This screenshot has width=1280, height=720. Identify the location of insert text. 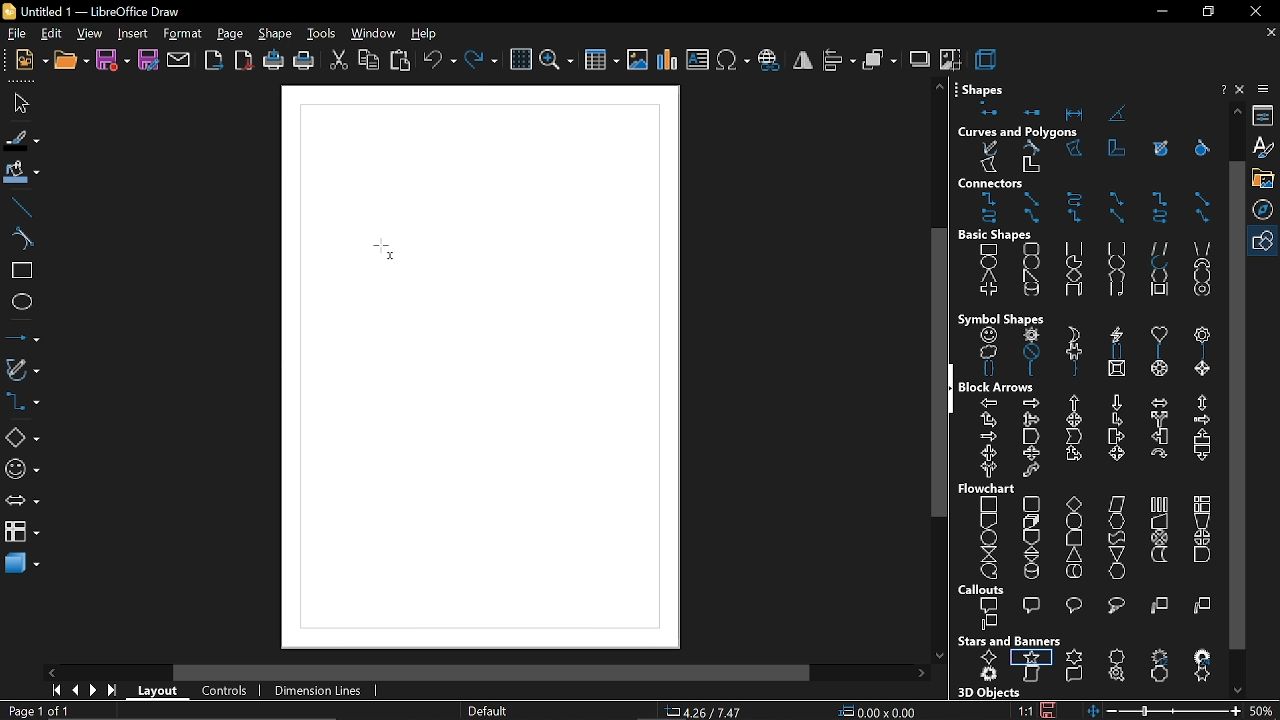
(699, 60).